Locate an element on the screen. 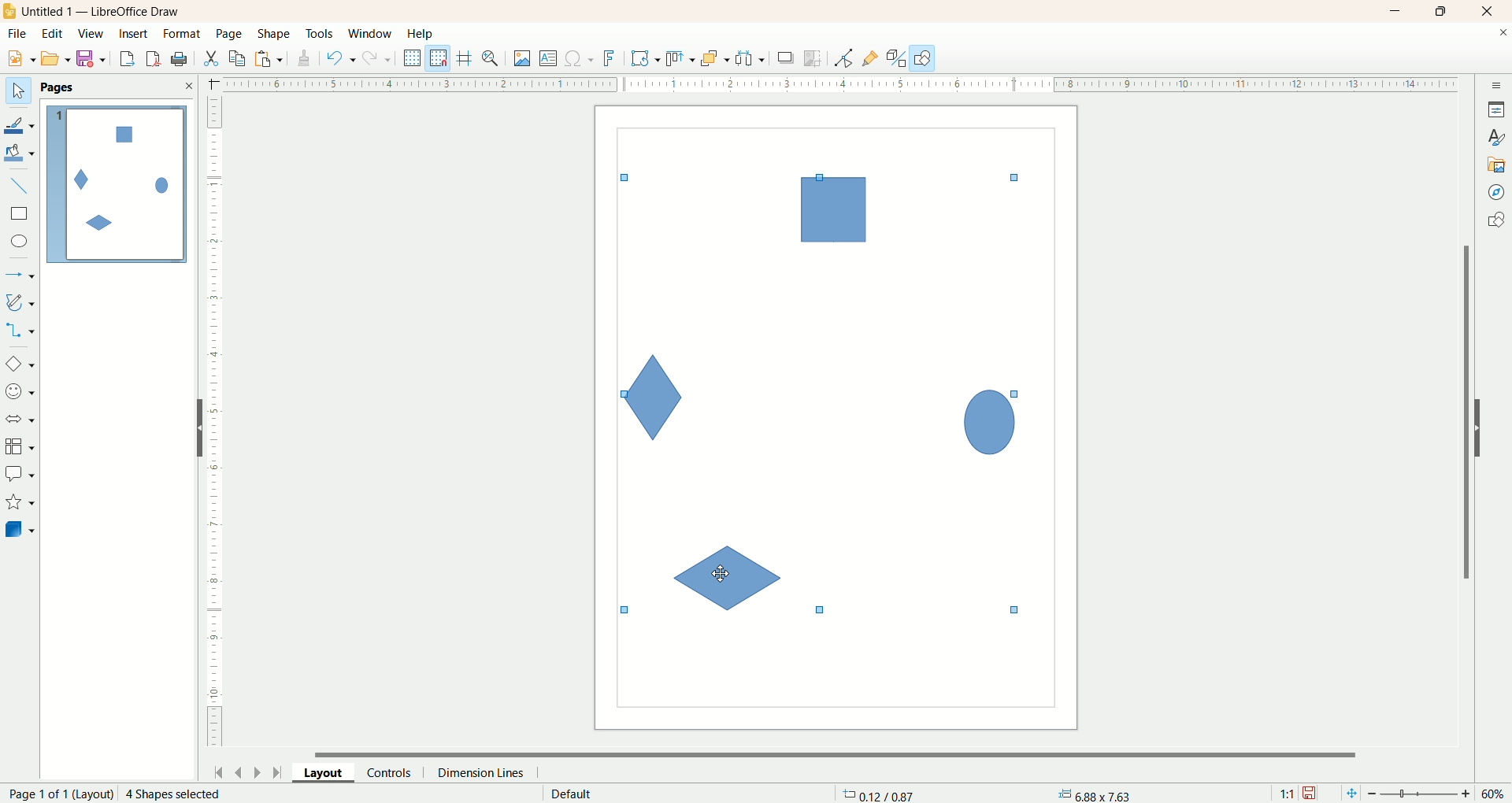 Image resolution: width=1512 pixels, height=803 pixels. page number is located at coordinates (57, 794).